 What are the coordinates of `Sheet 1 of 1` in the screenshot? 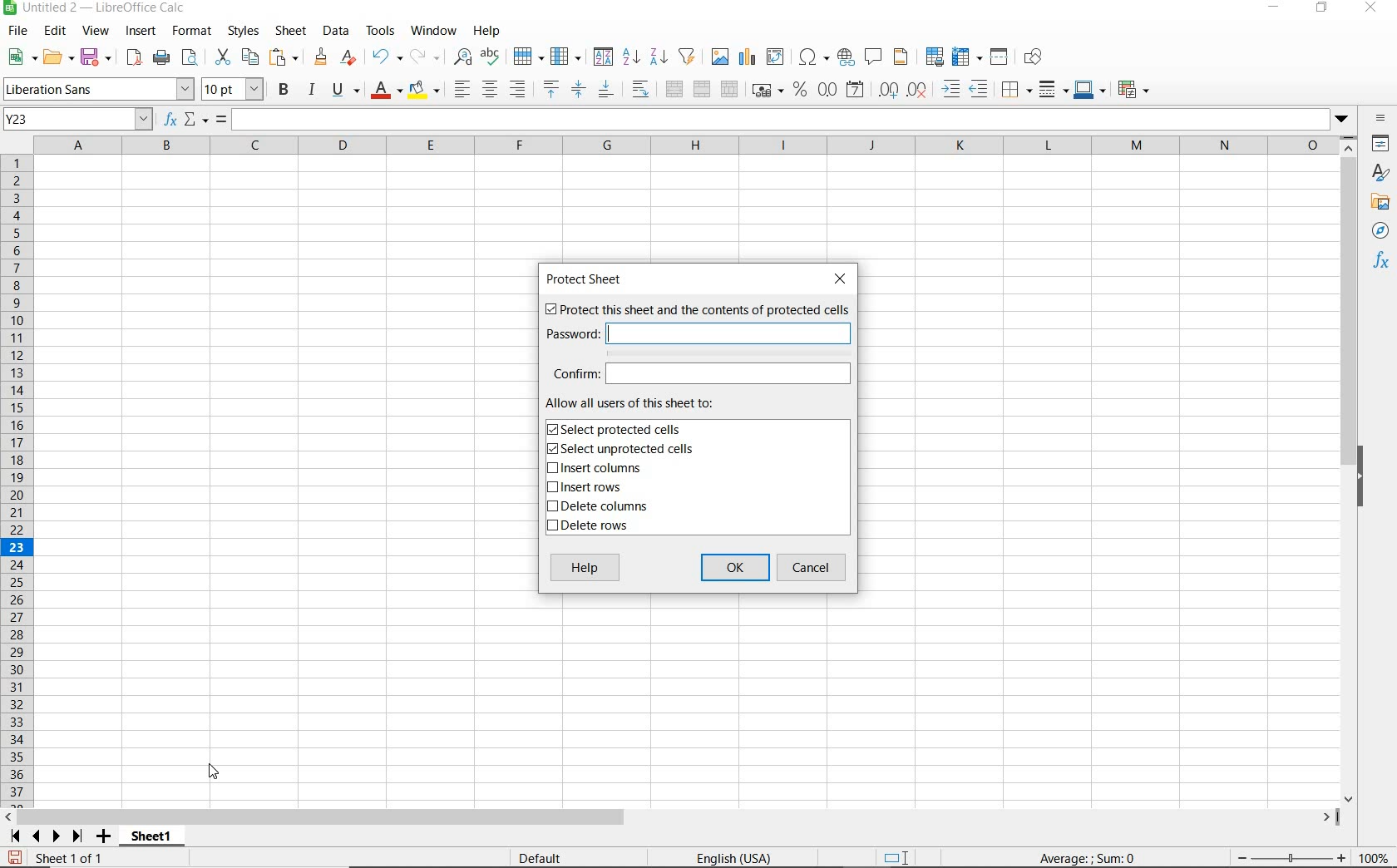 It's located at (57, 858).